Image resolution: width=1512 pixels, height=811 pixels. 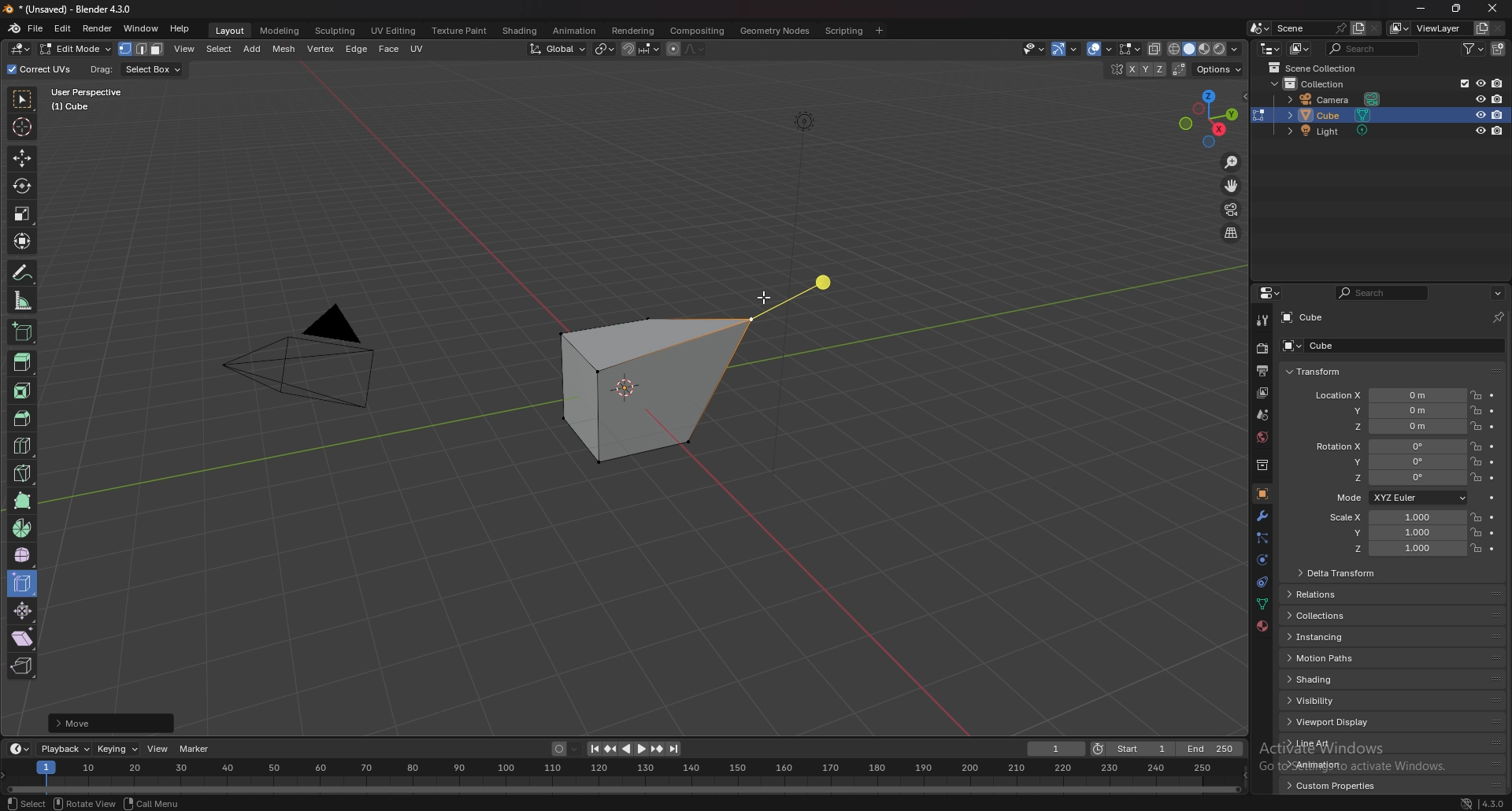 What do you see at coordinates (521, 30) in the screenshot?
I see `shading` at bounding box center [521, 30].